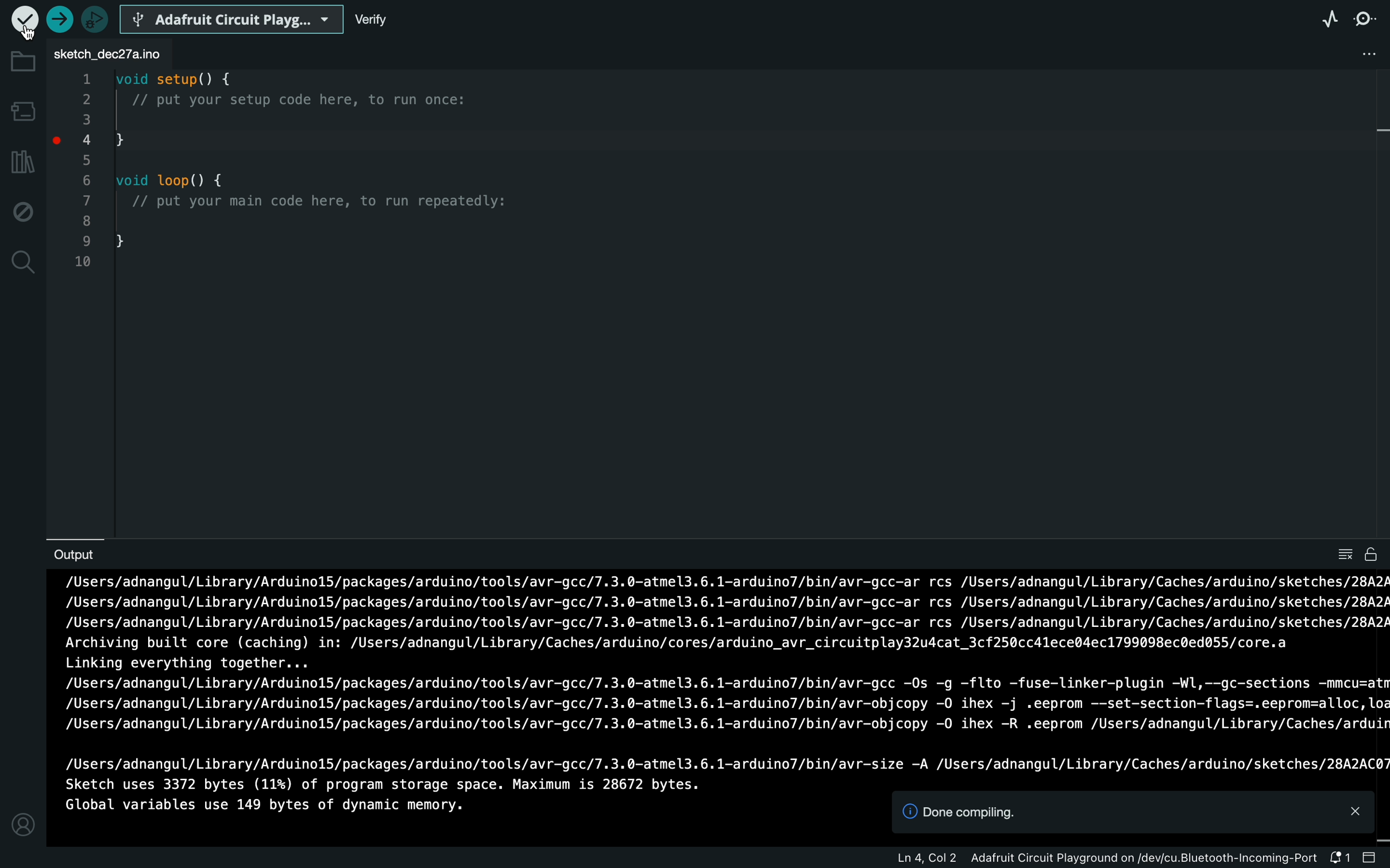 Image resolution: width=1390 pixels, height=868 pixels. What do you see at coordinates (389, 799) in the screenshot?
I see `Compiling process` at bounding box center [389, 799].